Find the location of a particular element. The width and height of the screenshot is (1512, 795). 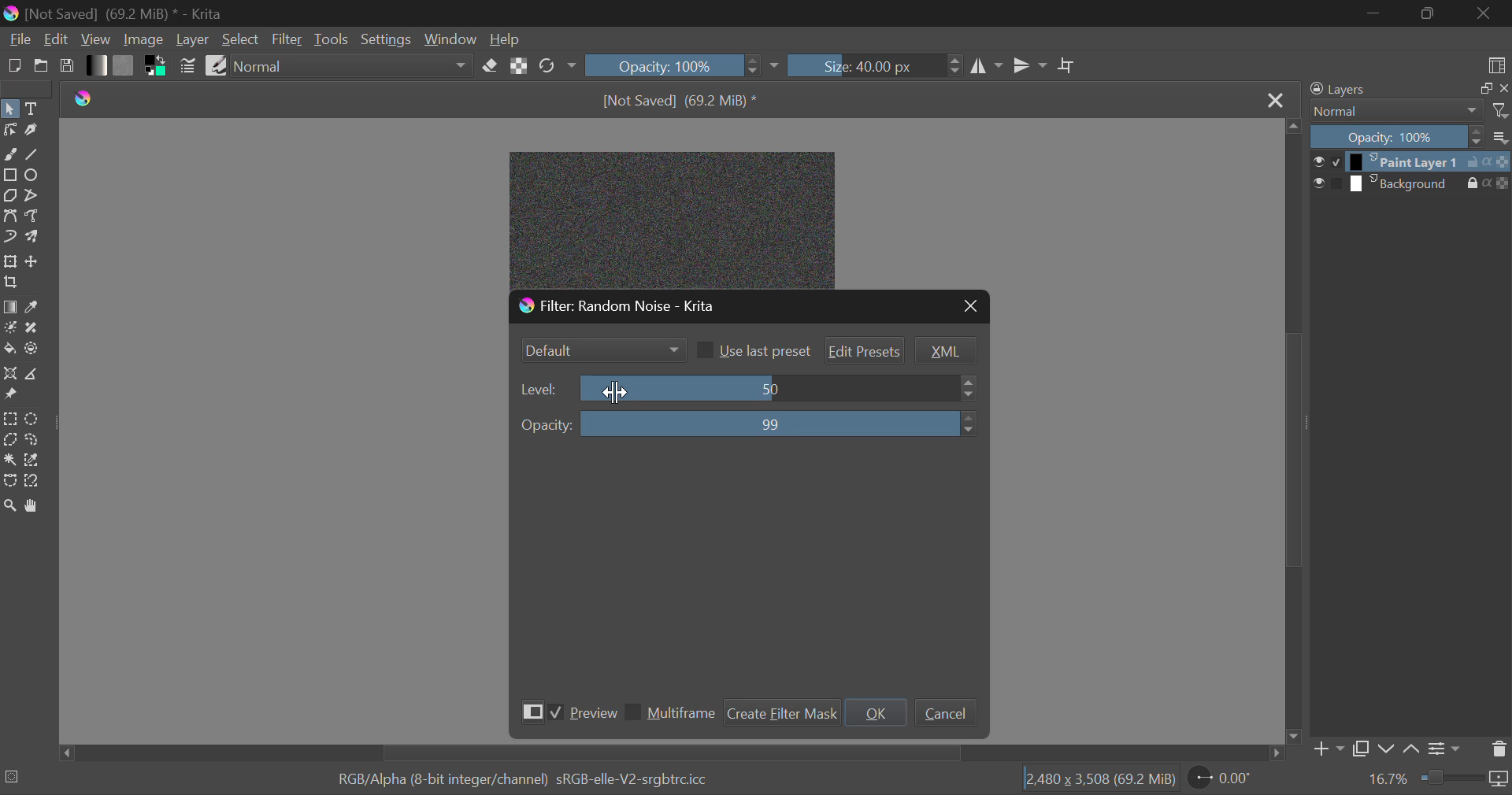

Move Layer Up is located at coordinates (1410, 747).